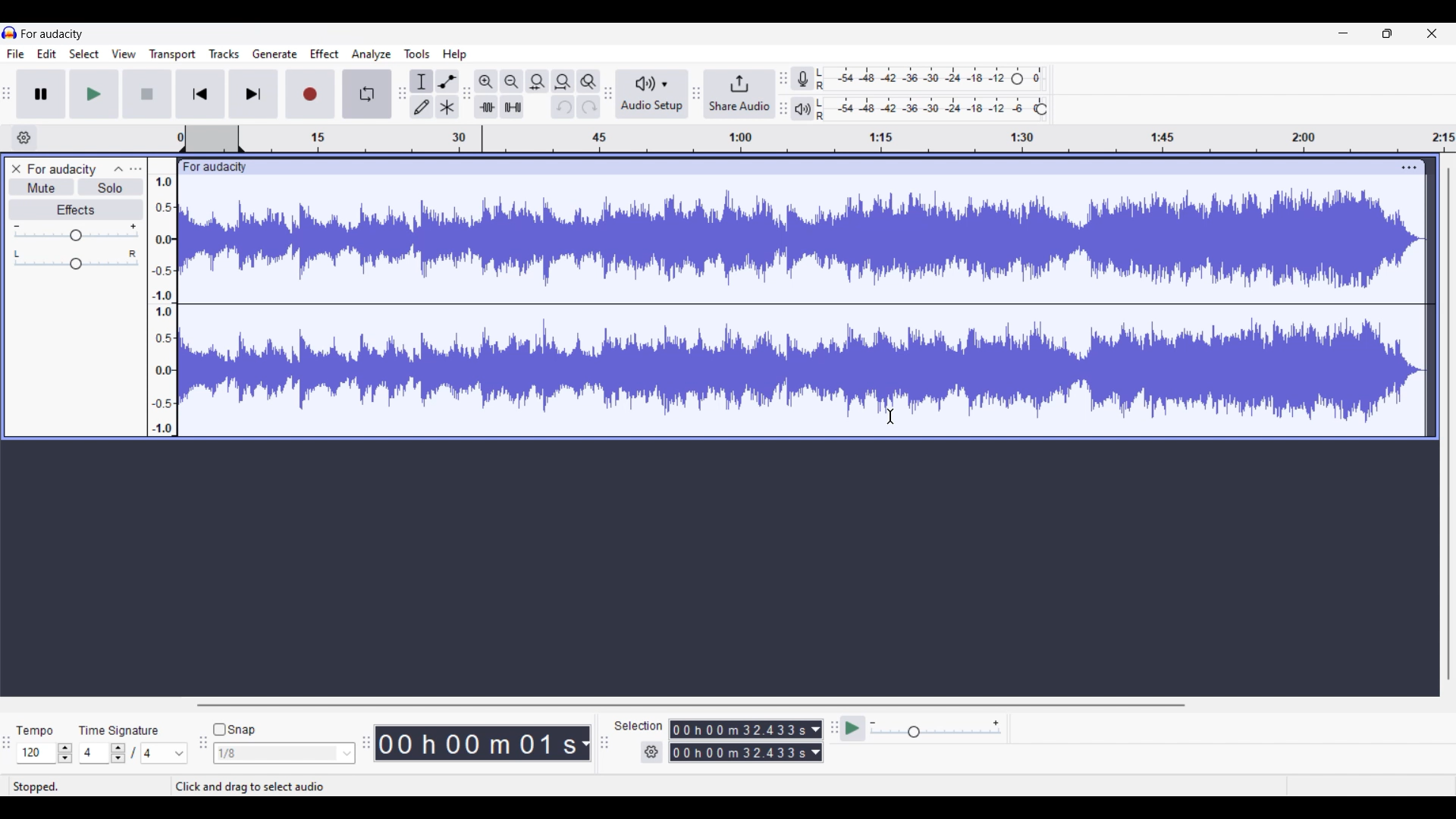 This screenshot has width=1456, height=819. I want to click on Playback meter, so click(801, 108).